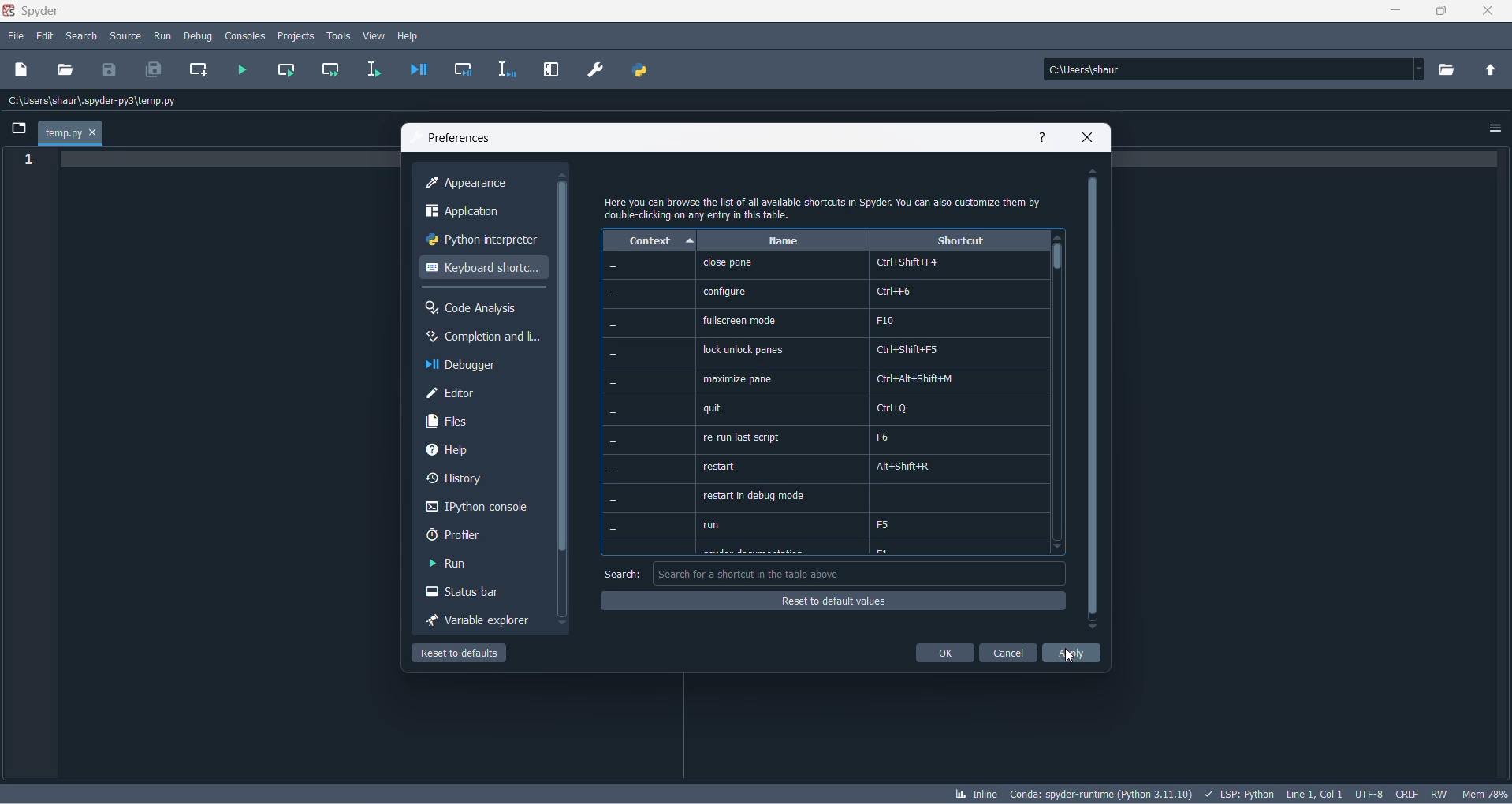 The image size is (1512, 804). Describe the element at coordinates (505, 71) in the screenshot. I see `debug selection` at that location.